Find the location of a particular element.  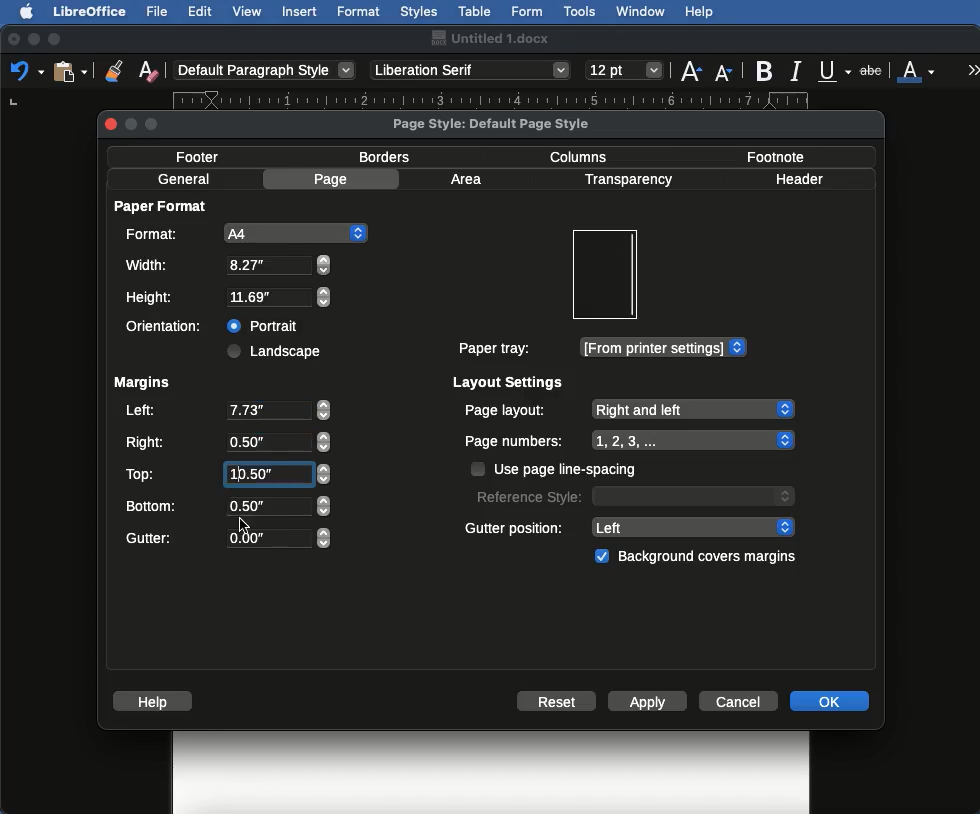

Size decrease is located at coordinates (728, 72).